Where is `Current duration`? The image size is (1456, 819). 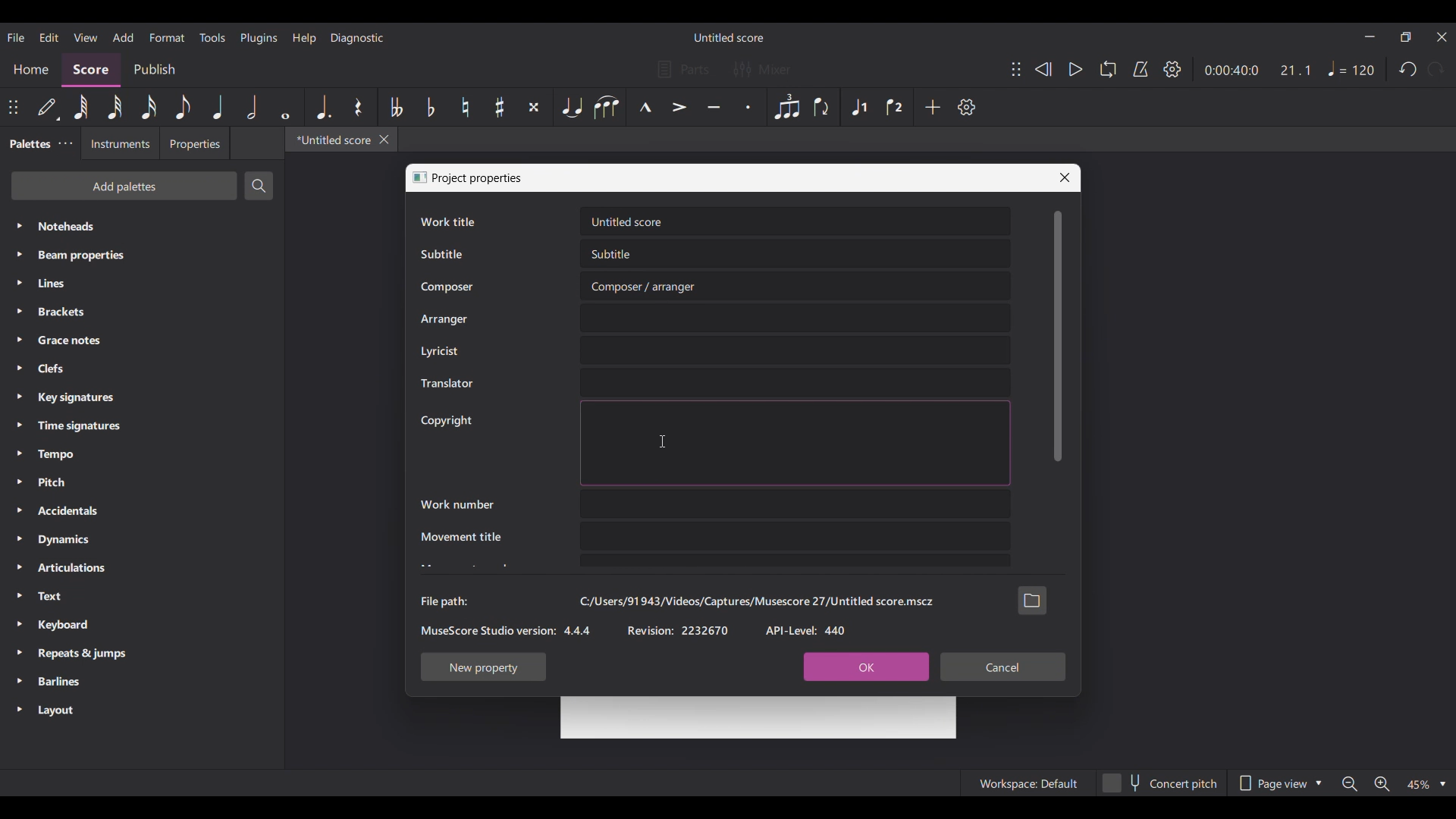
Current duration is located at coordinates (1232, 70).